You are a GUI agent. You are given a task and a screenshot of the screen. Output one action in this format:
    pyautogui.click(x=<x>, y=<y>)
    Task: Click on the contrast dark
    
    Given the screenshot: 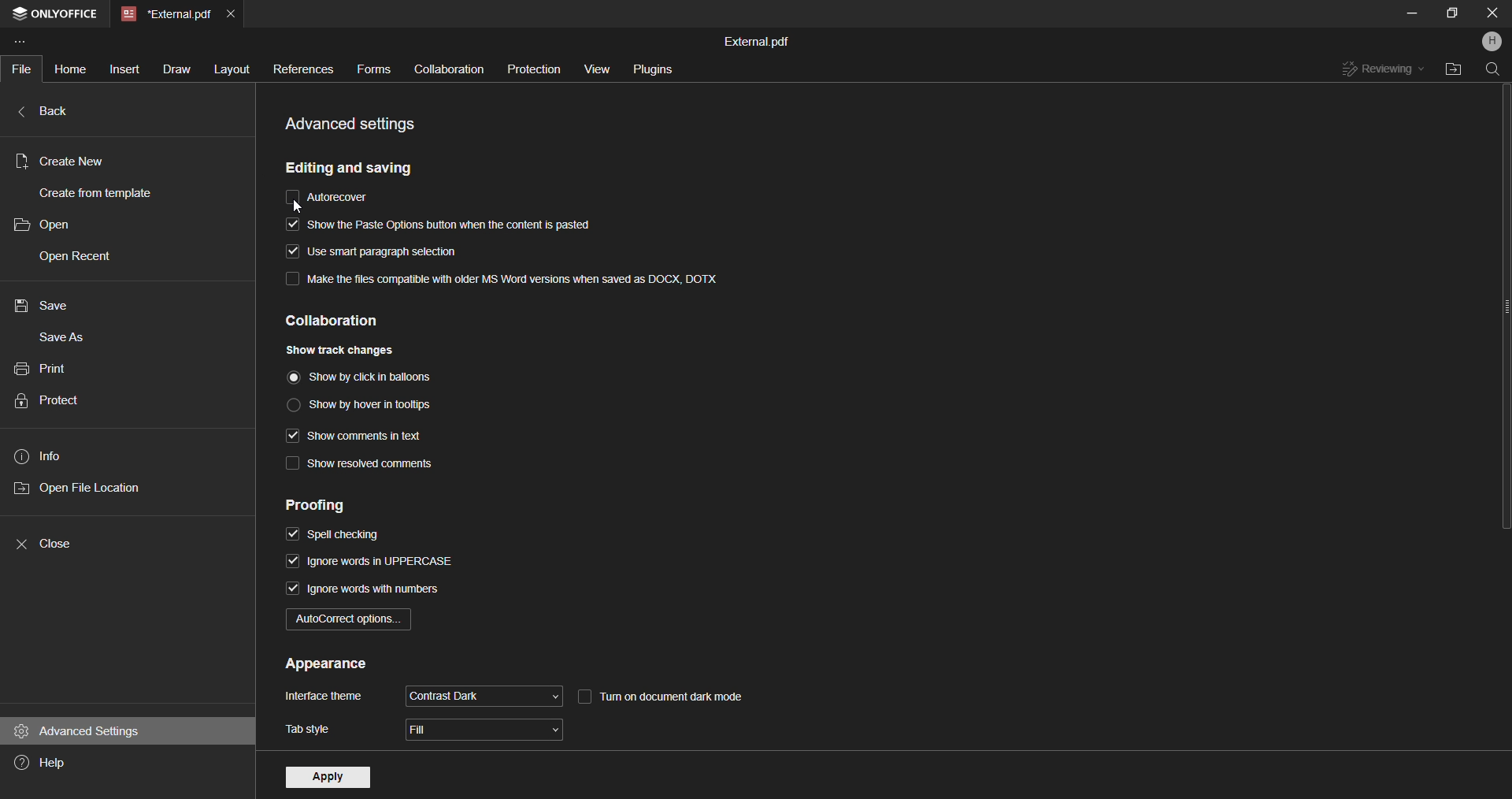 What is the action you would take?
    pyautogui.click(x=483, y=695)
    